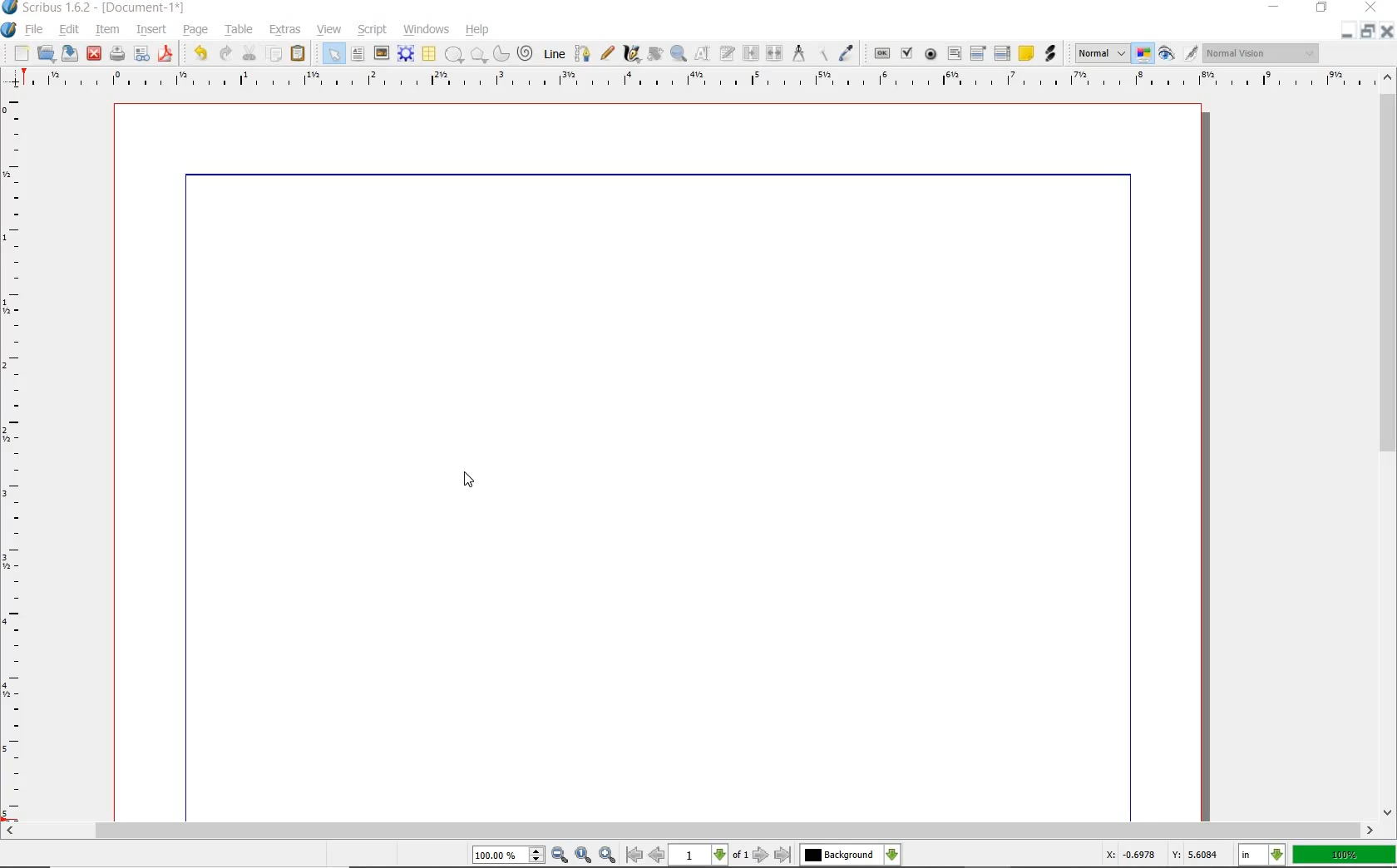 The width and height of the screenshot is (1397, 868). I want to click on PDF PUSH BUTTON, so click(881, 54).